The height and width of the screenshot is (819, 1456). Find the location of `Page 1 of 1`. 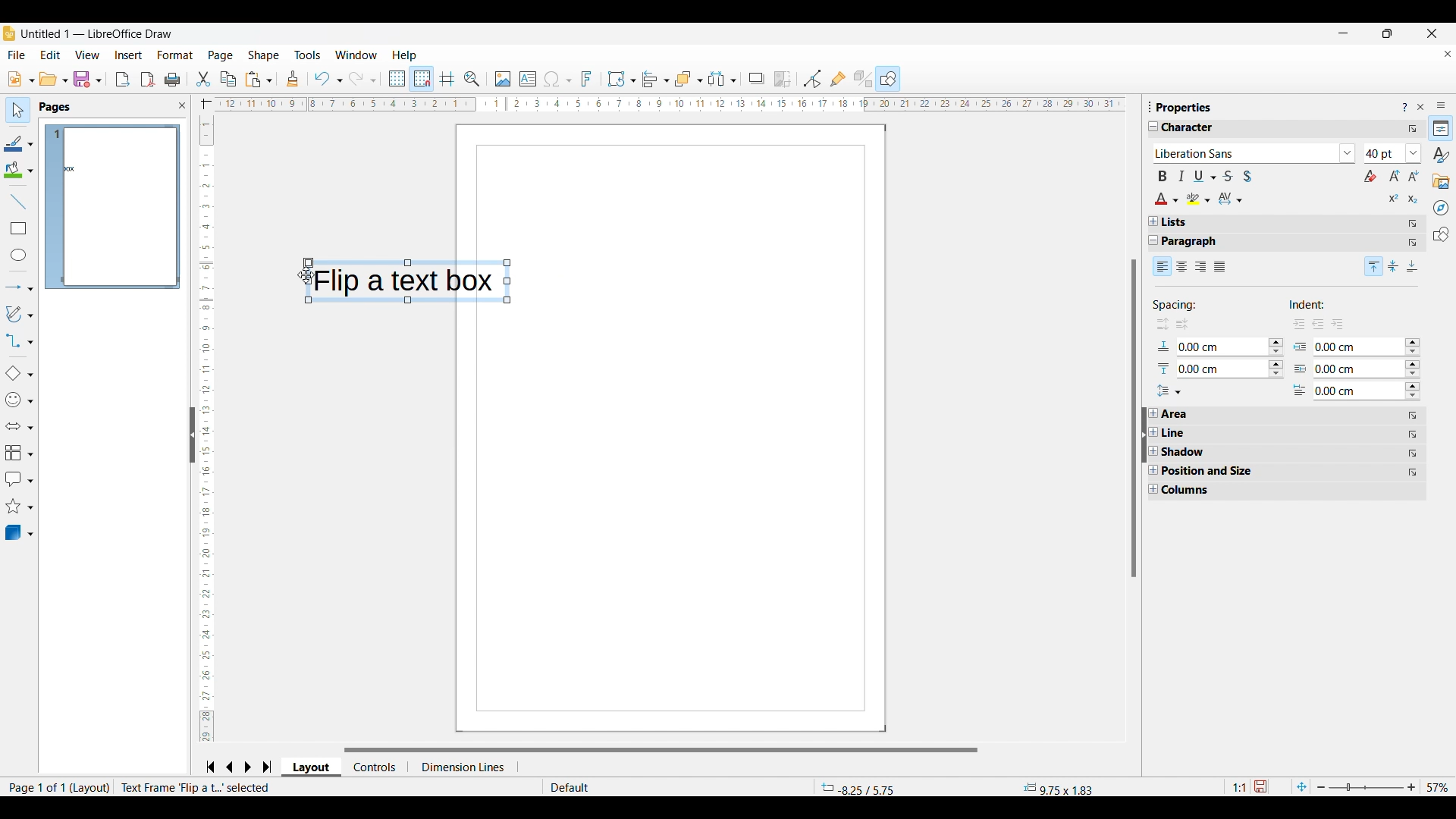

Page 1 of 1 is located at coordinates (33, 787).